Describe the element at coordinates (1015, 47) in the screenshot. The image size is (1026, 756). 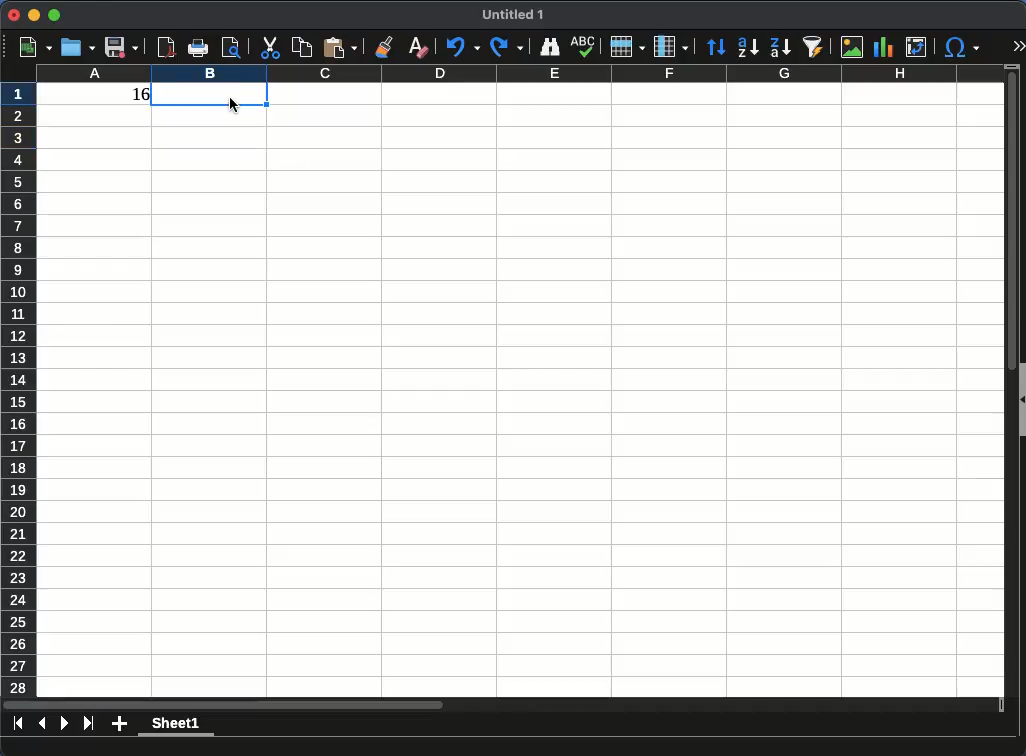
I see `expand ` at that location.